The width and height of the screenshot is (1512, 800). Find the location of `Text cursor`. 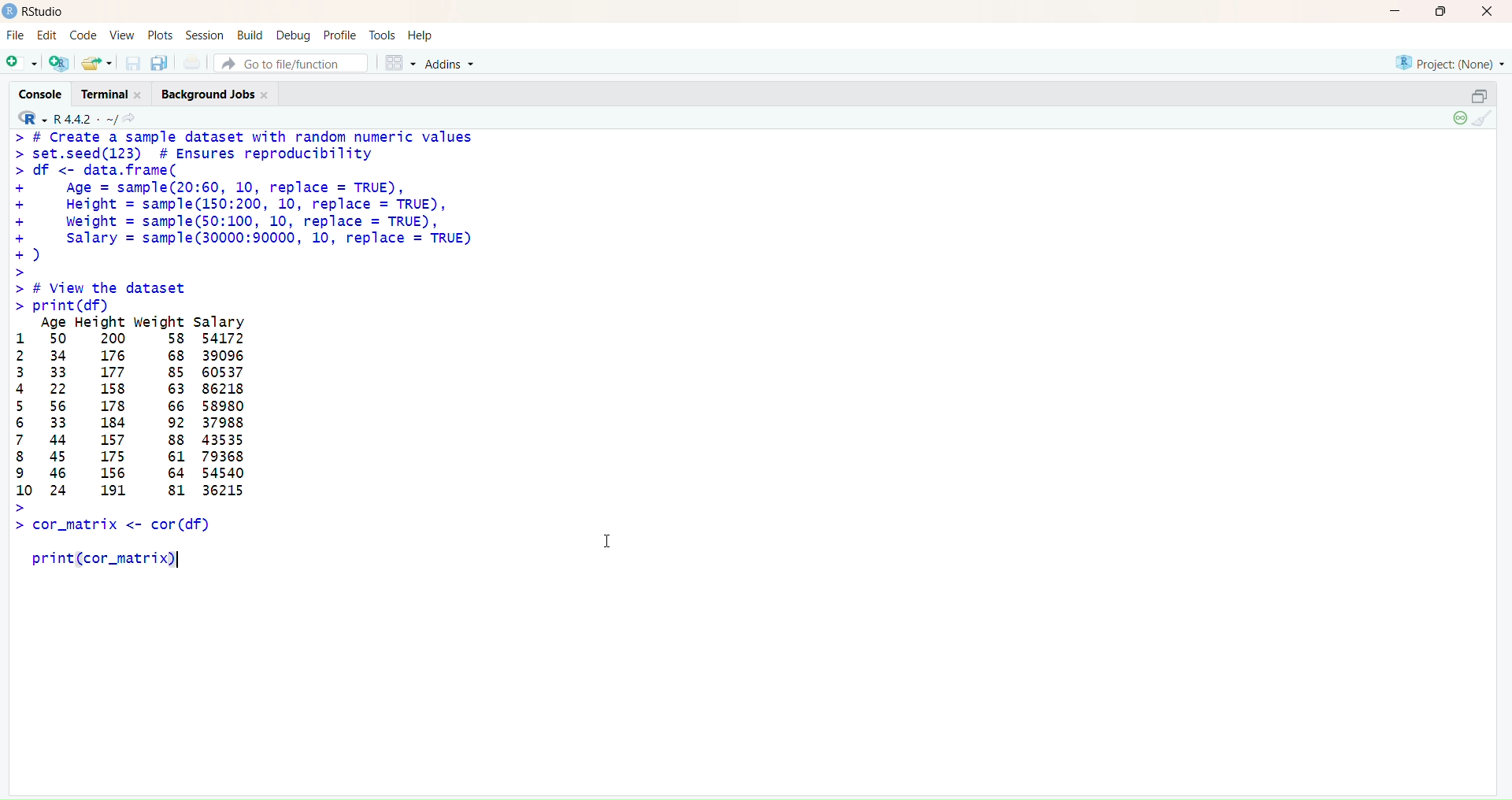

Text cursor is located at coordinates (608, 538).